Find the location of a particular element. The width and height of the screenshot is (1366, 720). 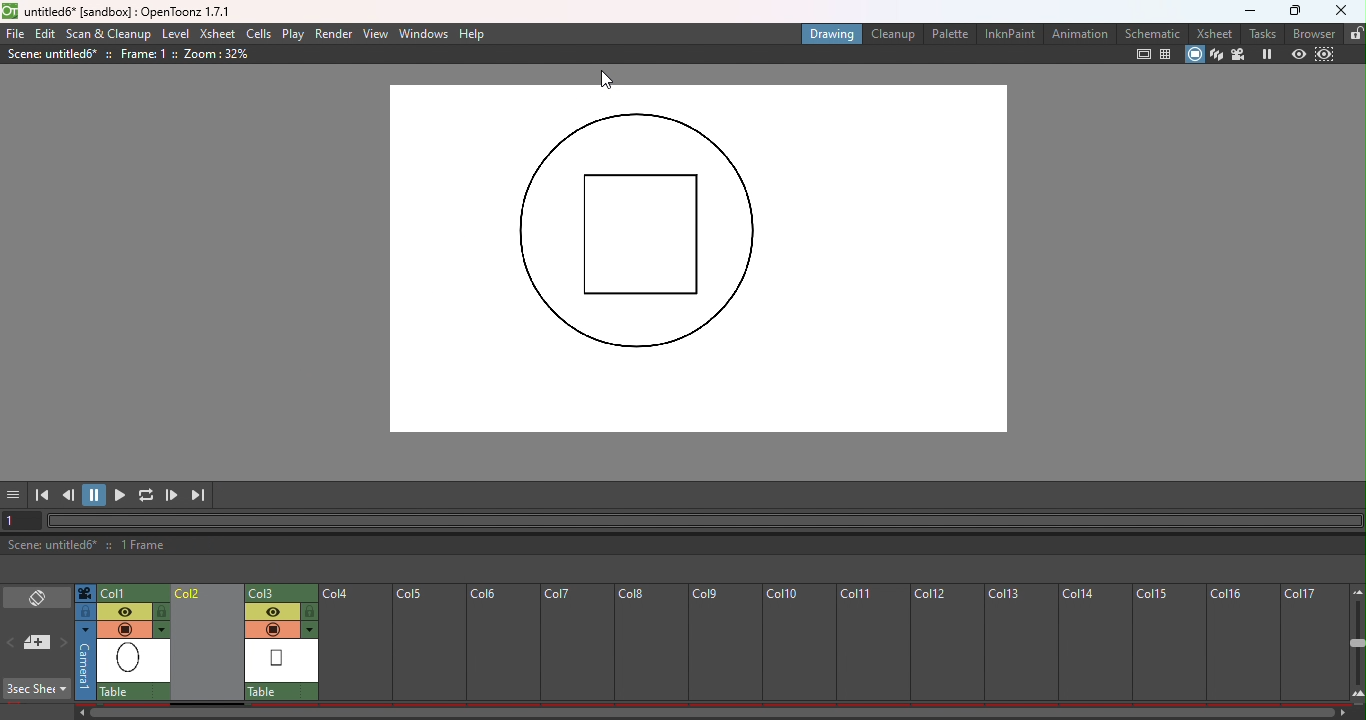

Zoom In is located at coordinates (1356, 694).